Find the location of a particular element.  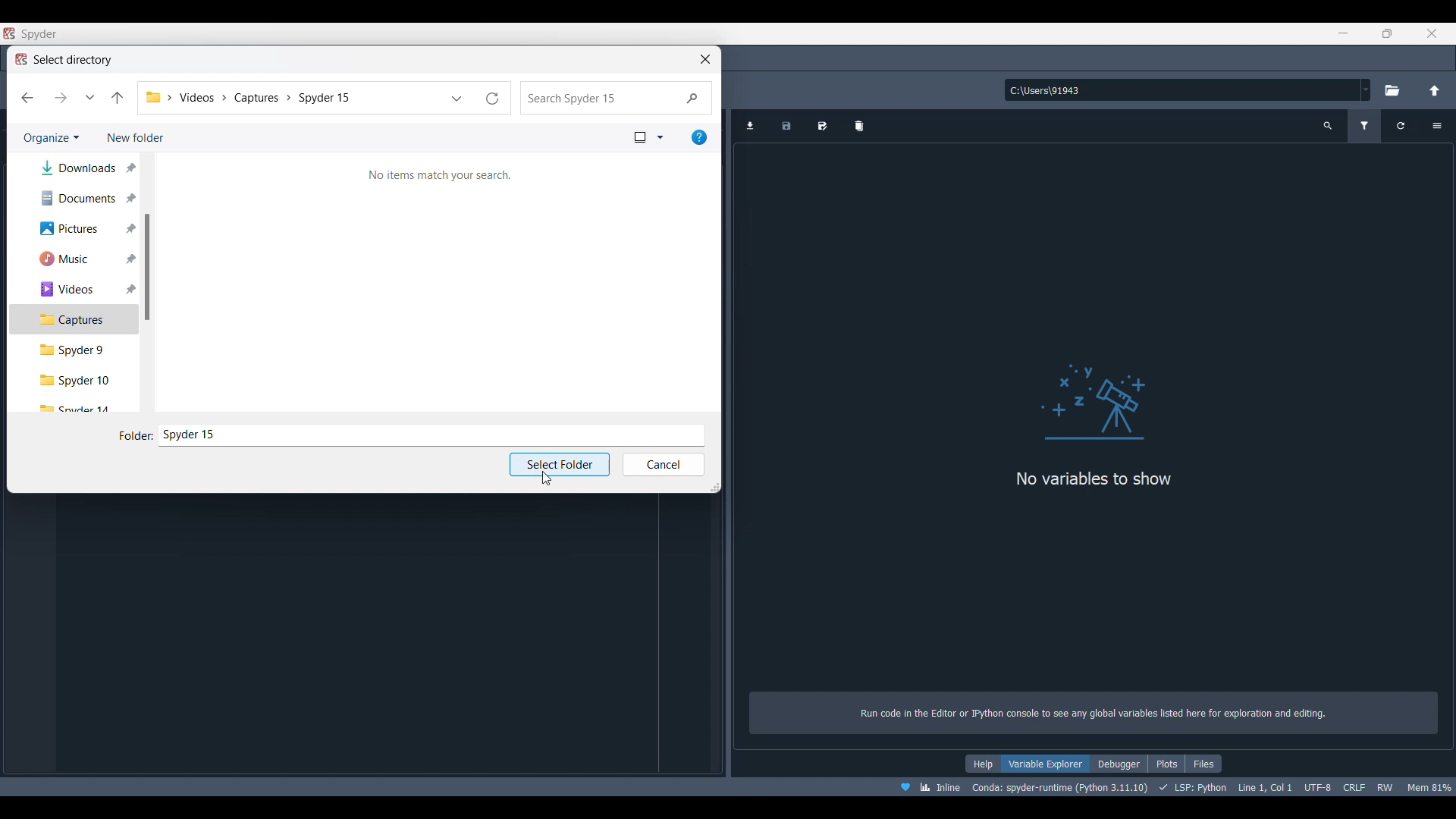

Debugger is located at coordinates (1119, 764).